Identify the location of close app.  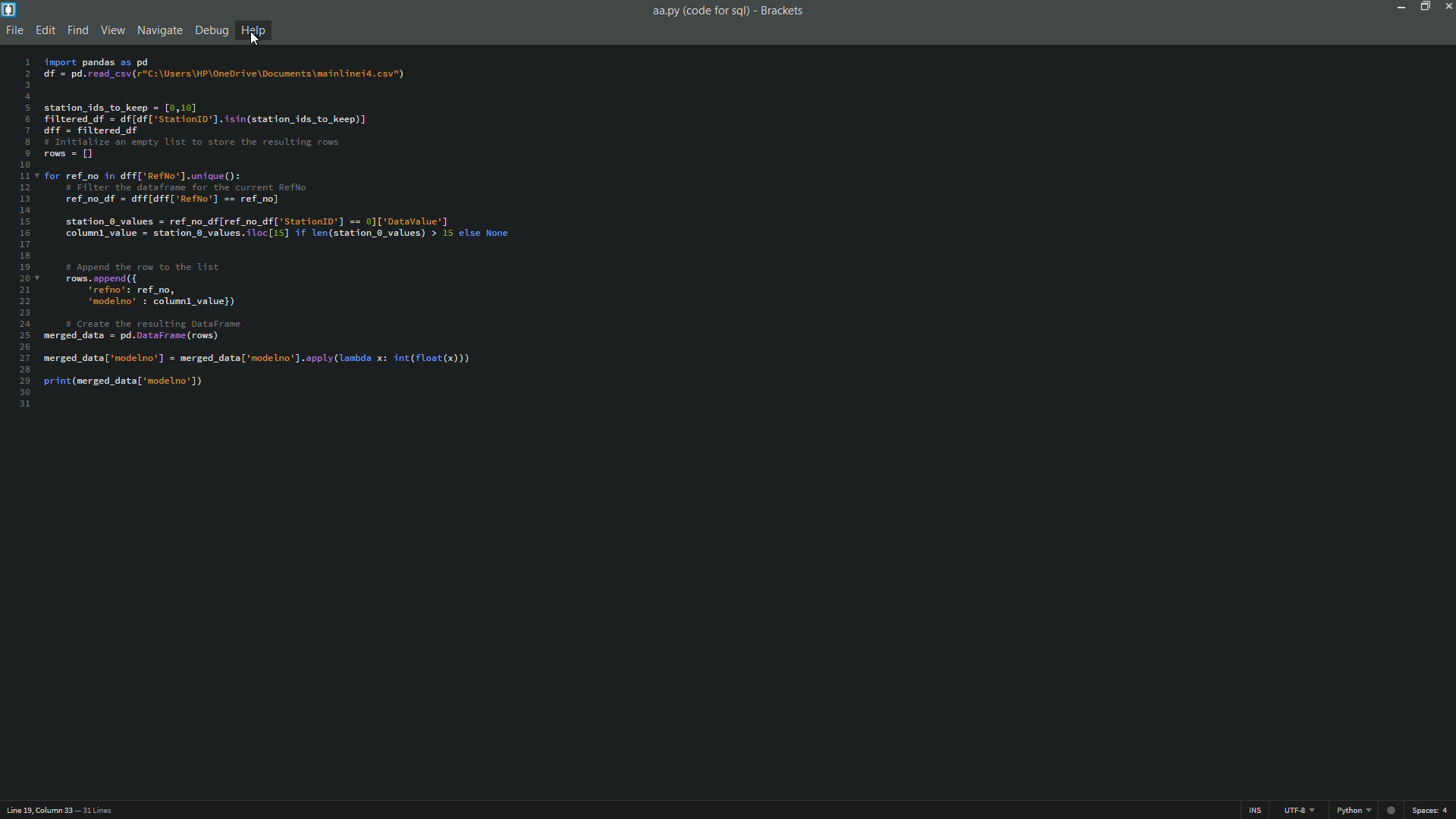
(1447, 8).